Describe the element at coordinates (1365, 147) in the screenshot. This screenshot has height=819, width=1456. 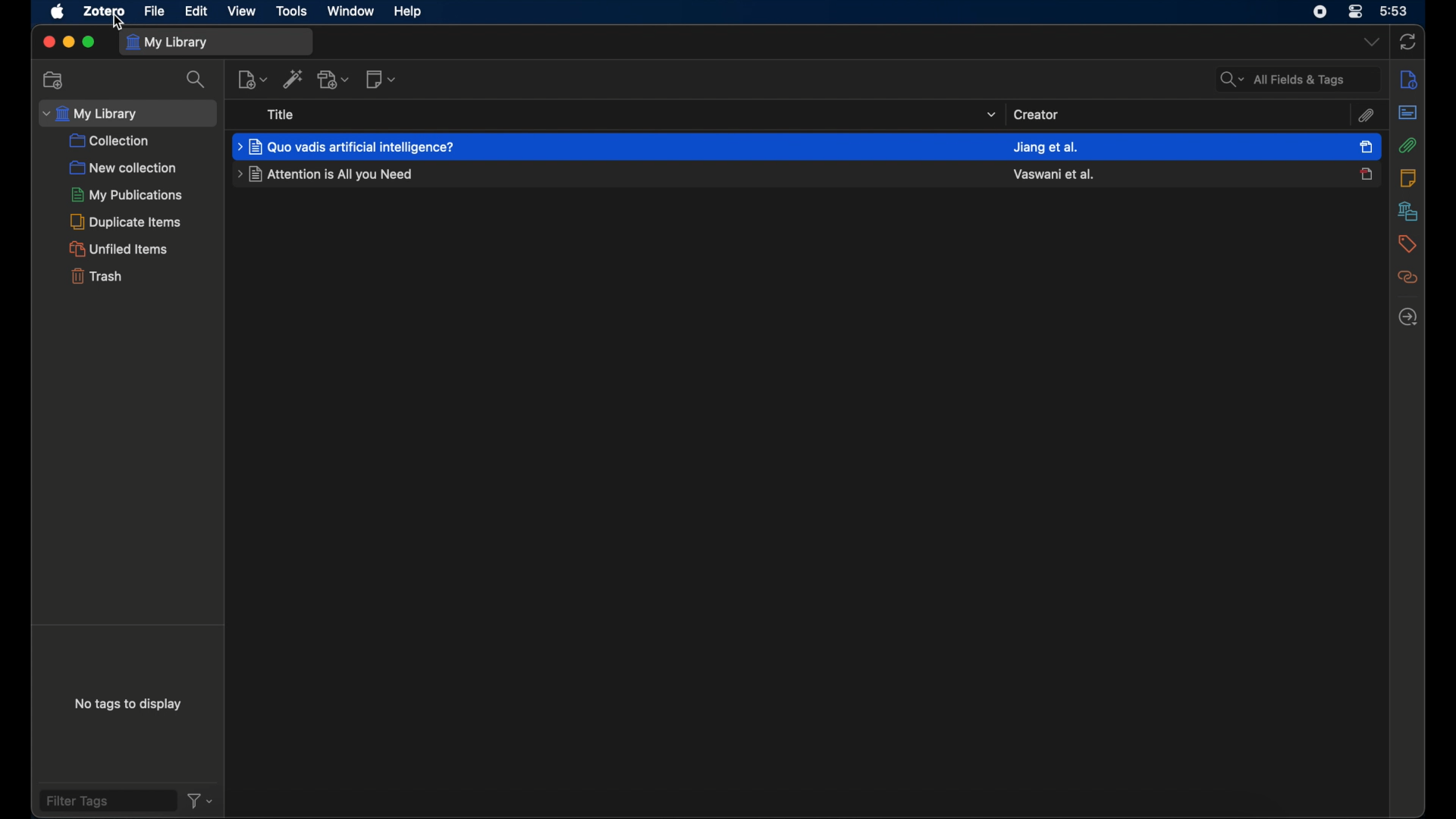
I see `item selected` at that location.